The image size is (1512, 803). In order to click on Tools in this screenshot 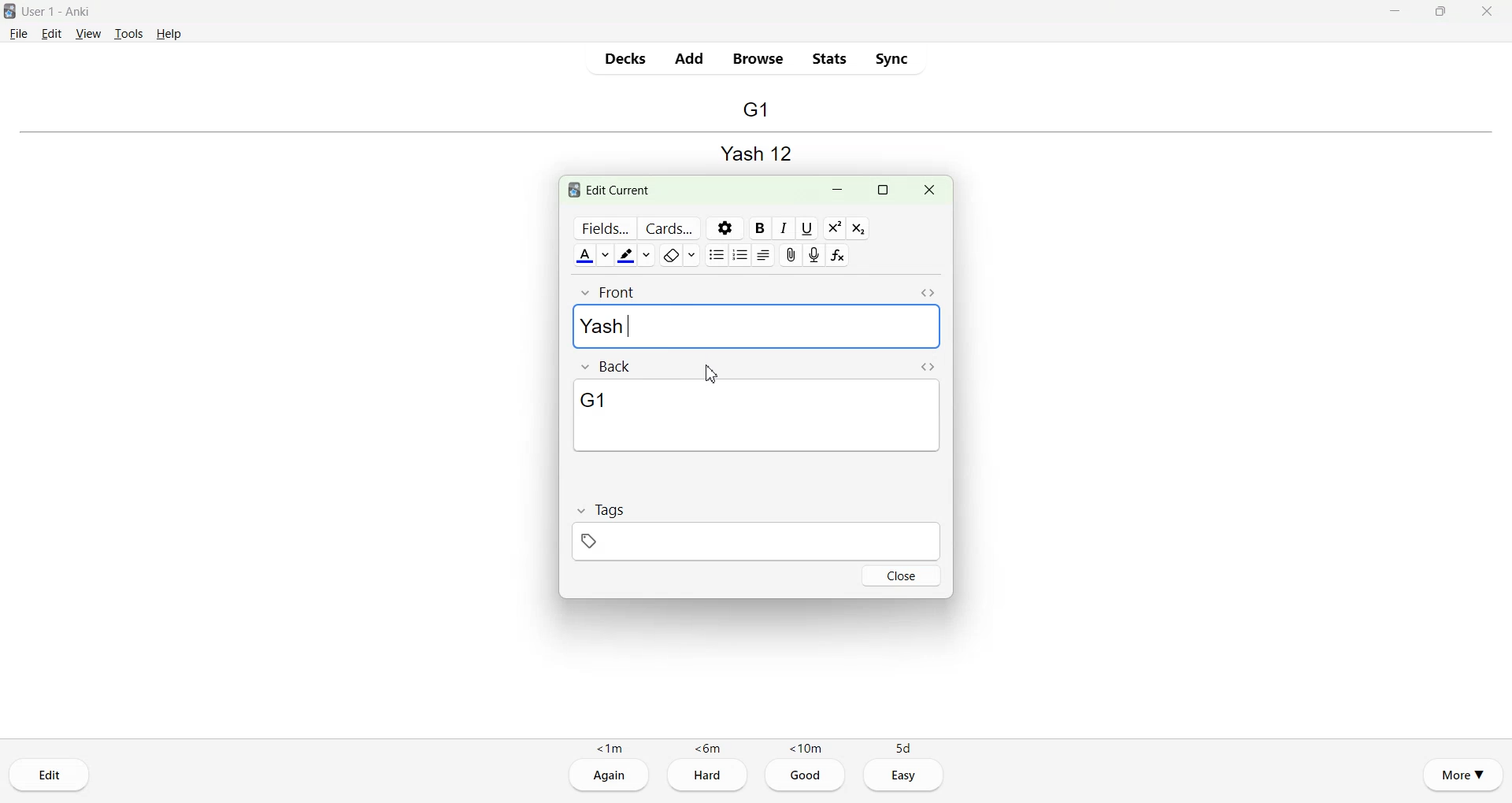, I will do `click(128, 34)`.